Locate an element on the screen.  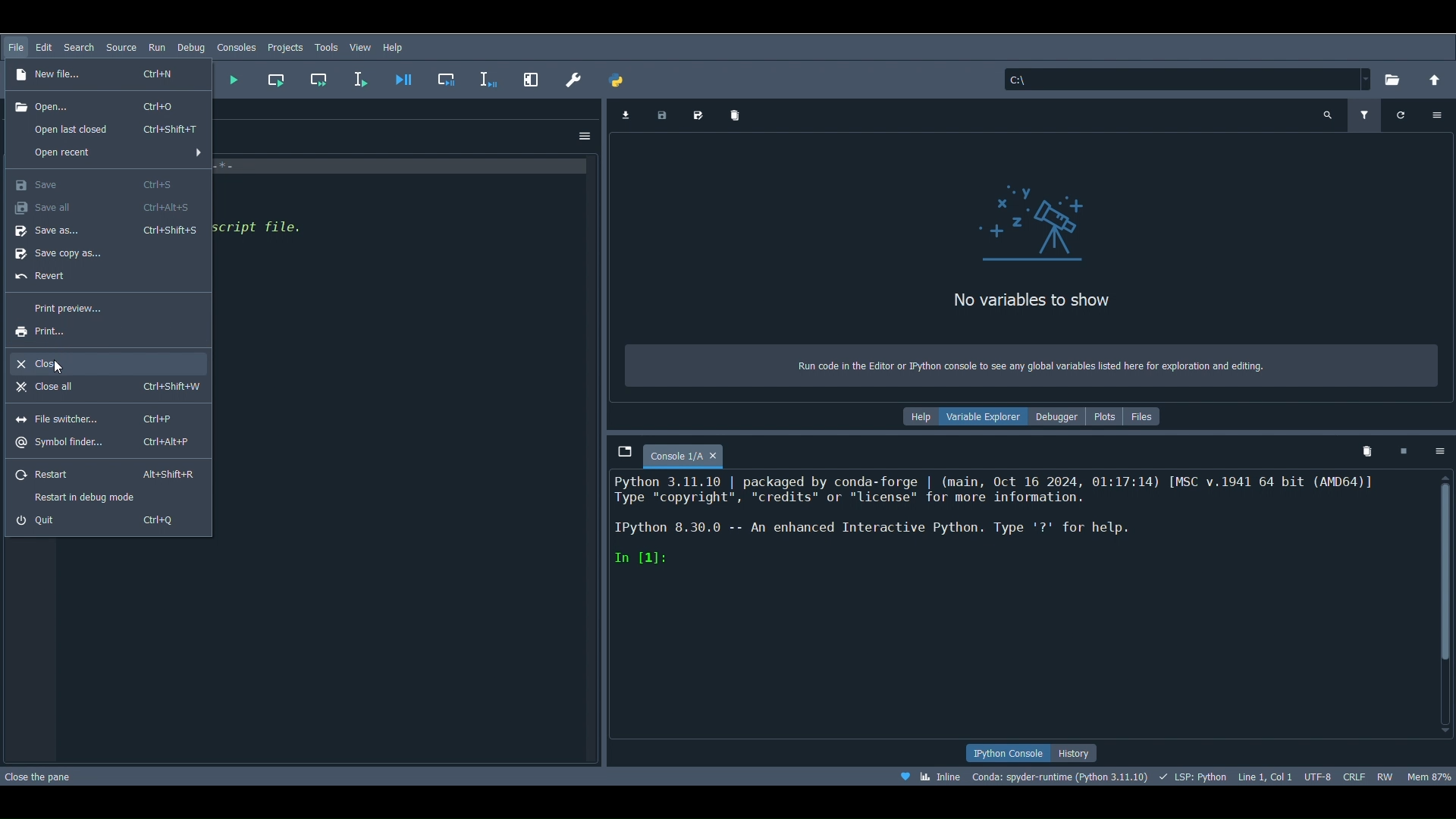
Cursor is located at coordinates (68, 366).